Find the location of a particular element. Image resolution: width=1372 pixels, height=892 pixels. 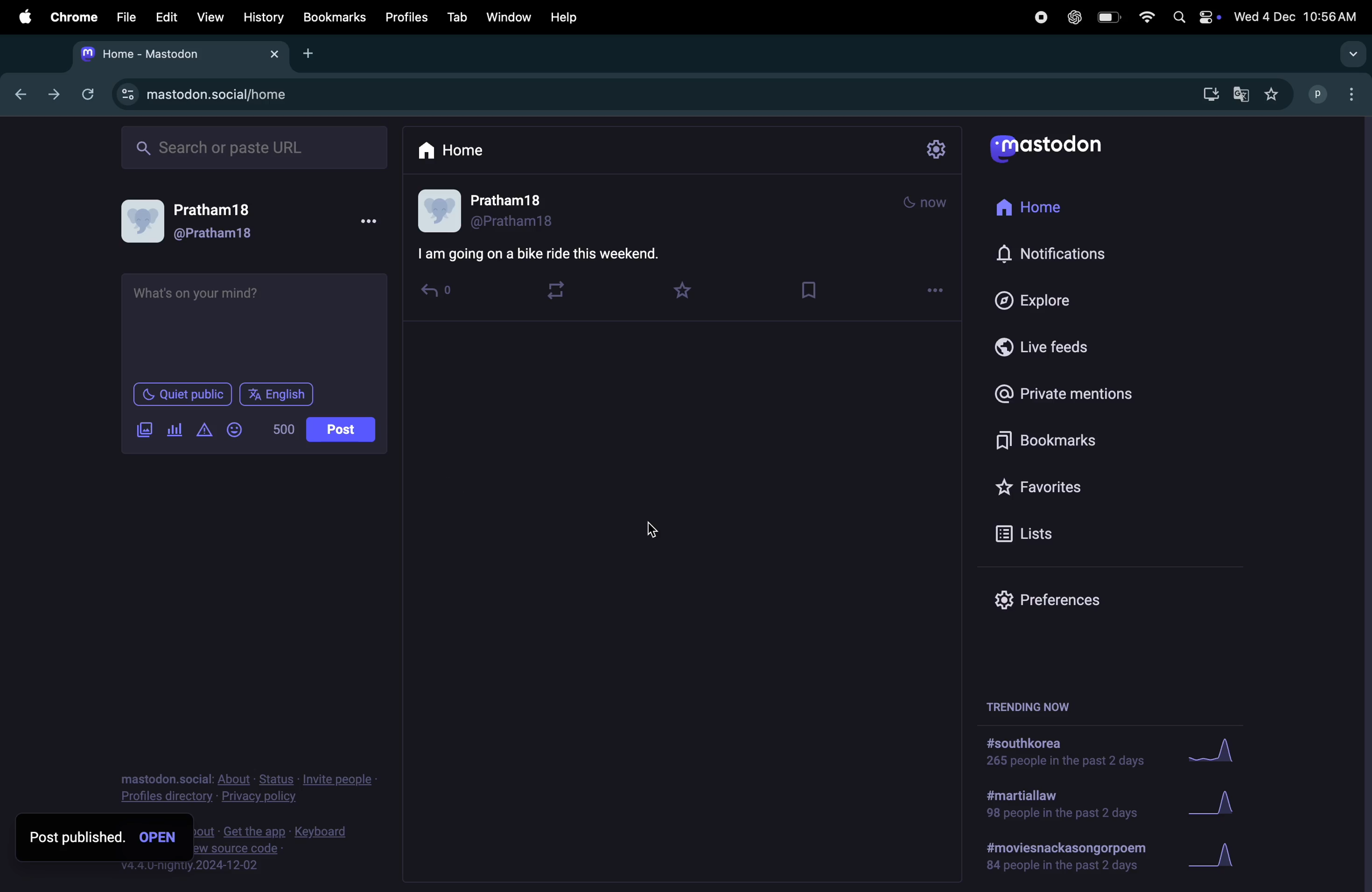

date and time is located at coordinates (1297, 14).